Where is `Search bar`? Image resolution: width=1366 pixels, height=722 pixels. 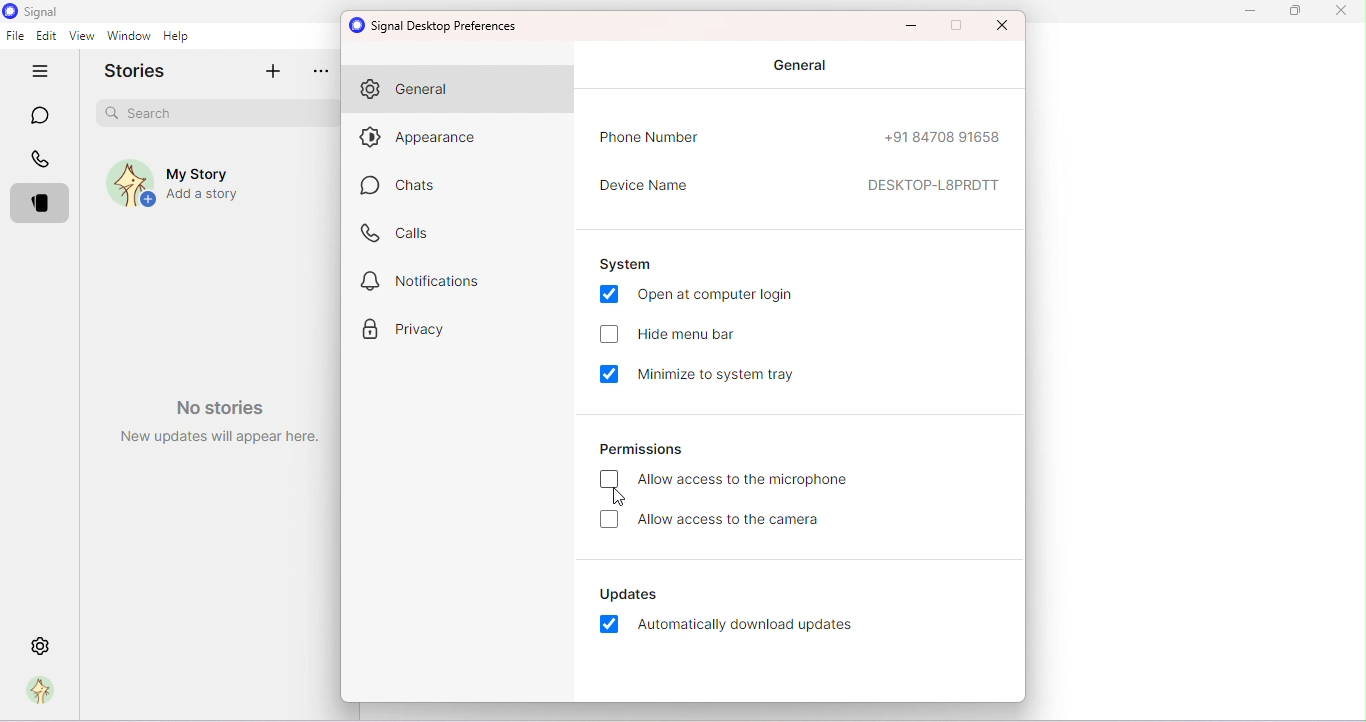 Search bar is located at coordinates (222, 111).